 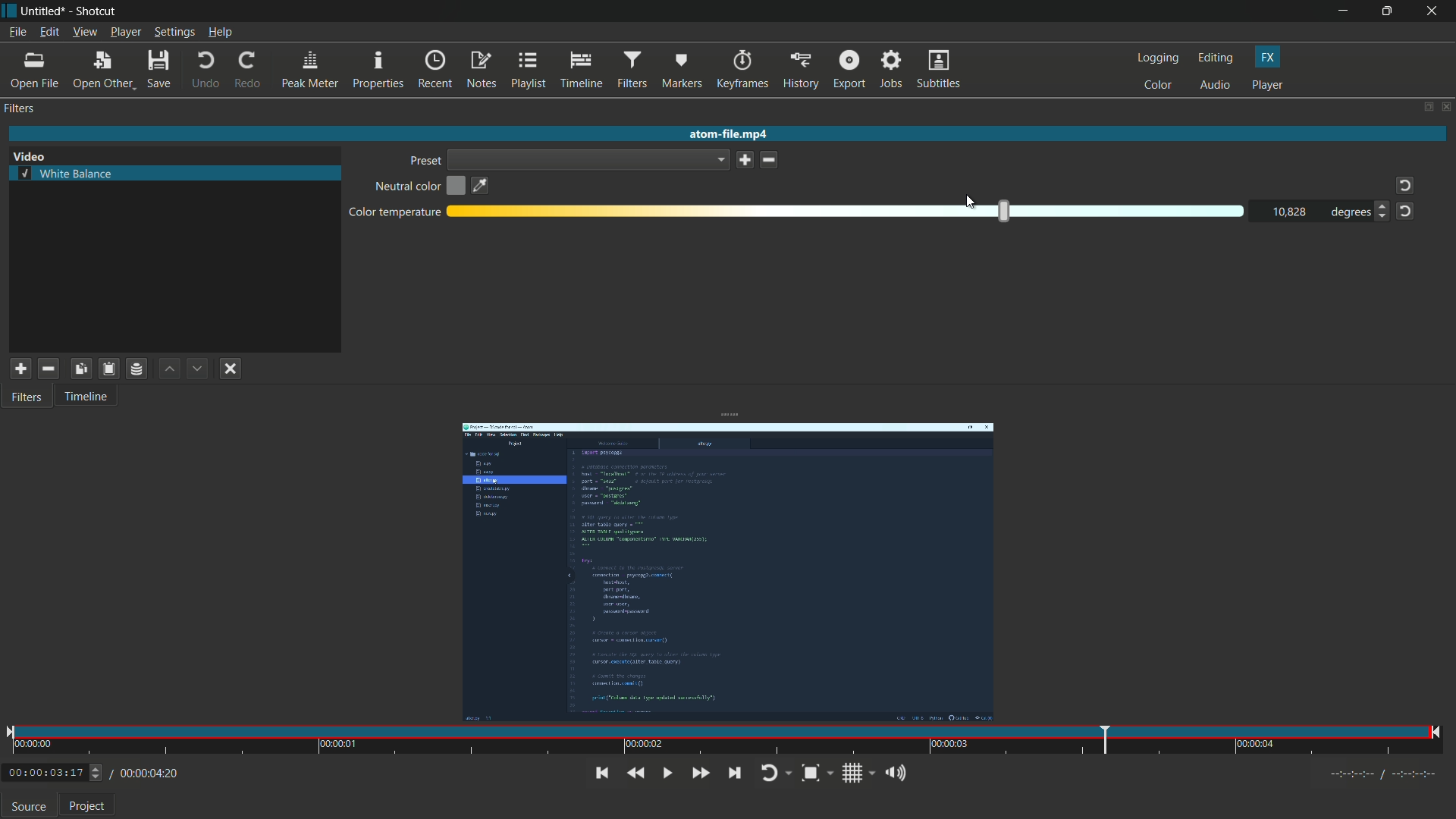 I want to click on peak meter, so click(x=310, y=70).